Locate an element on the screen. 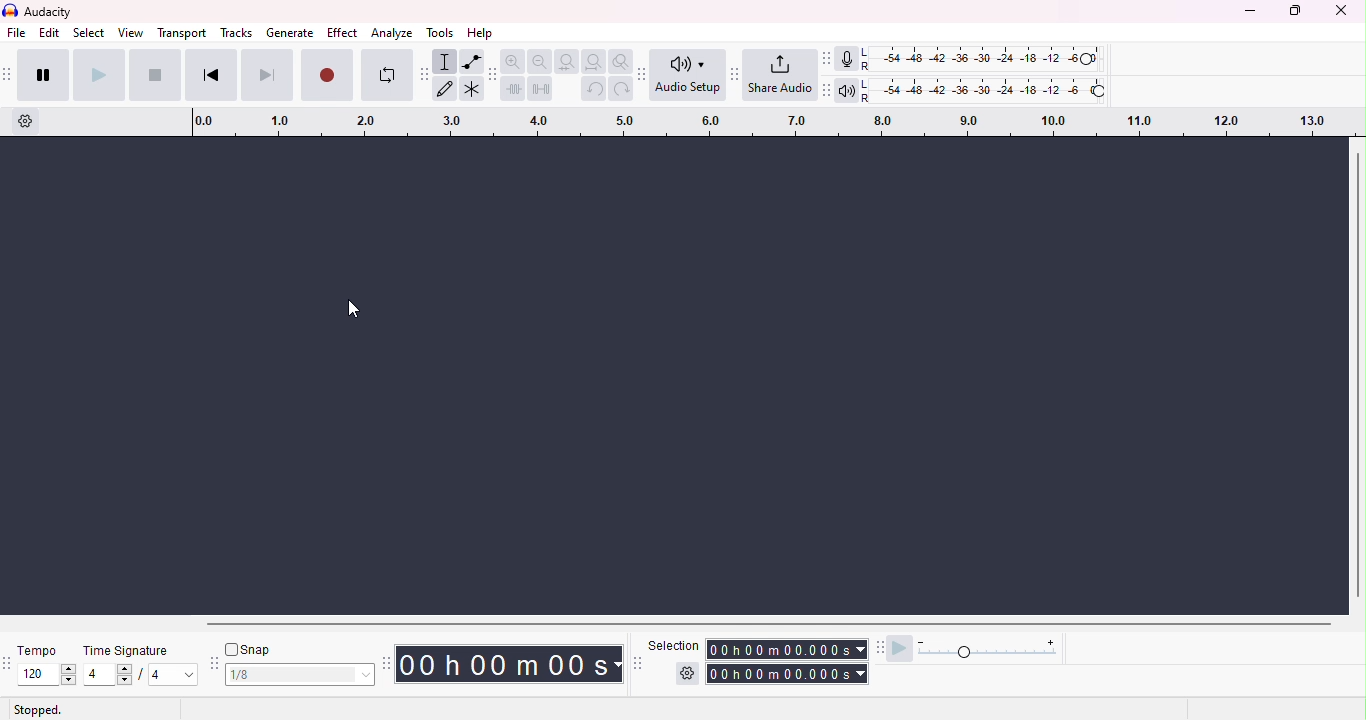 This screenshot has height=720, width=1366. timeline options is located at coordinates (26, 119).